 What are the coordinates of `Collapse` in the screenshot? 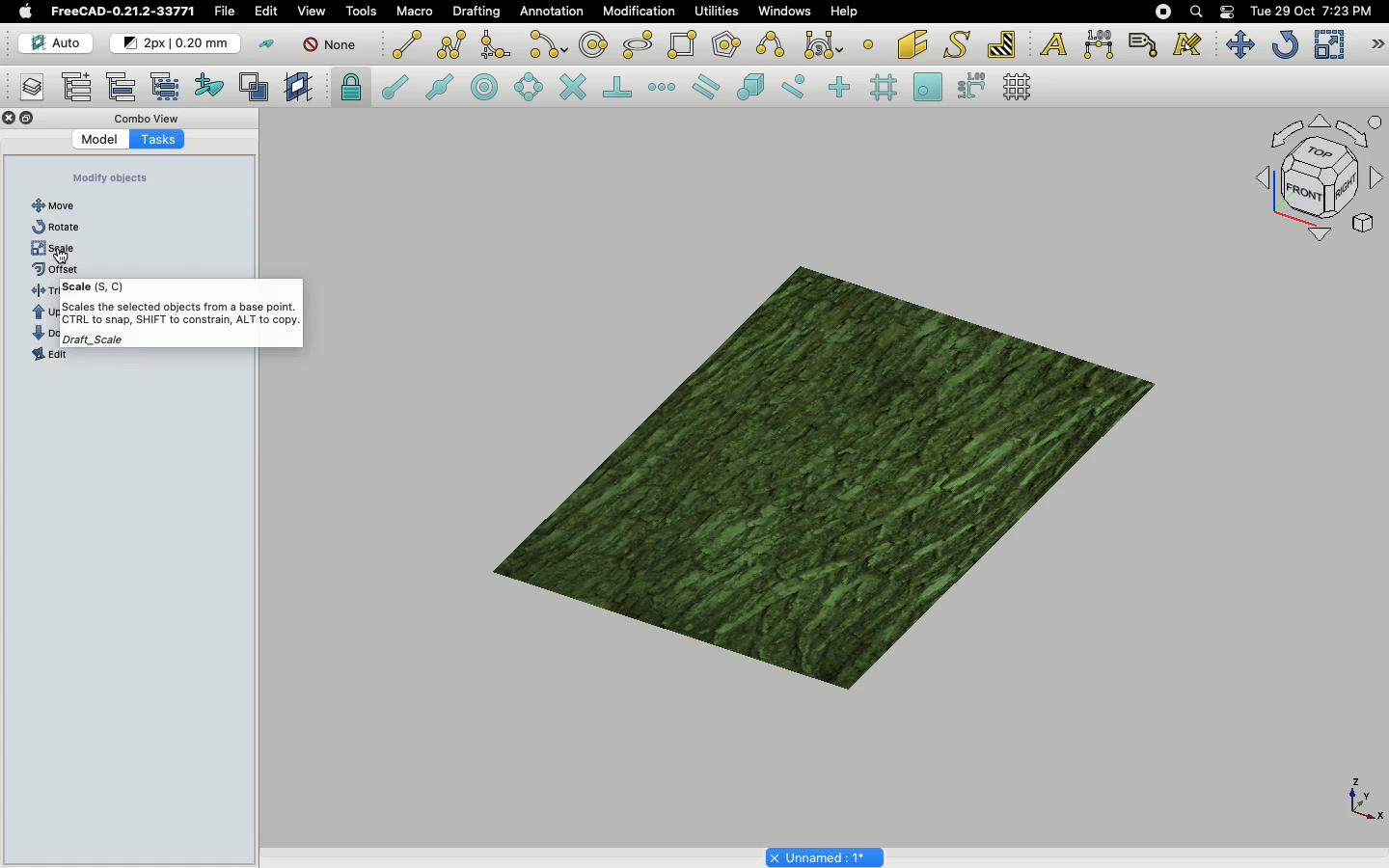 It's located at (27, 119).